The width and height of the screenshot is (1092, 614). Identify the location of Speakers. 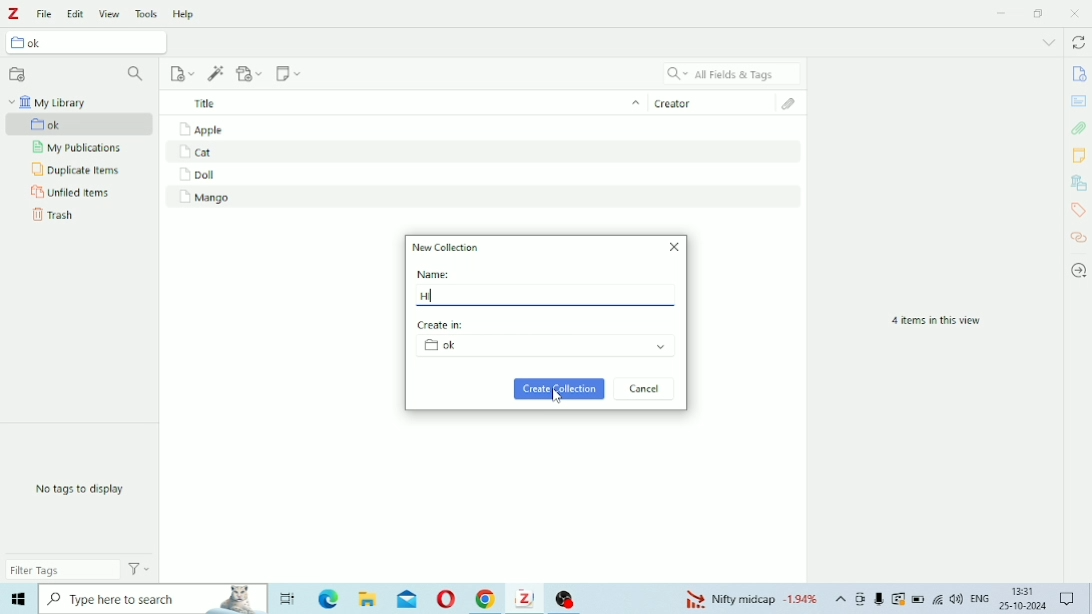
(957, 599).